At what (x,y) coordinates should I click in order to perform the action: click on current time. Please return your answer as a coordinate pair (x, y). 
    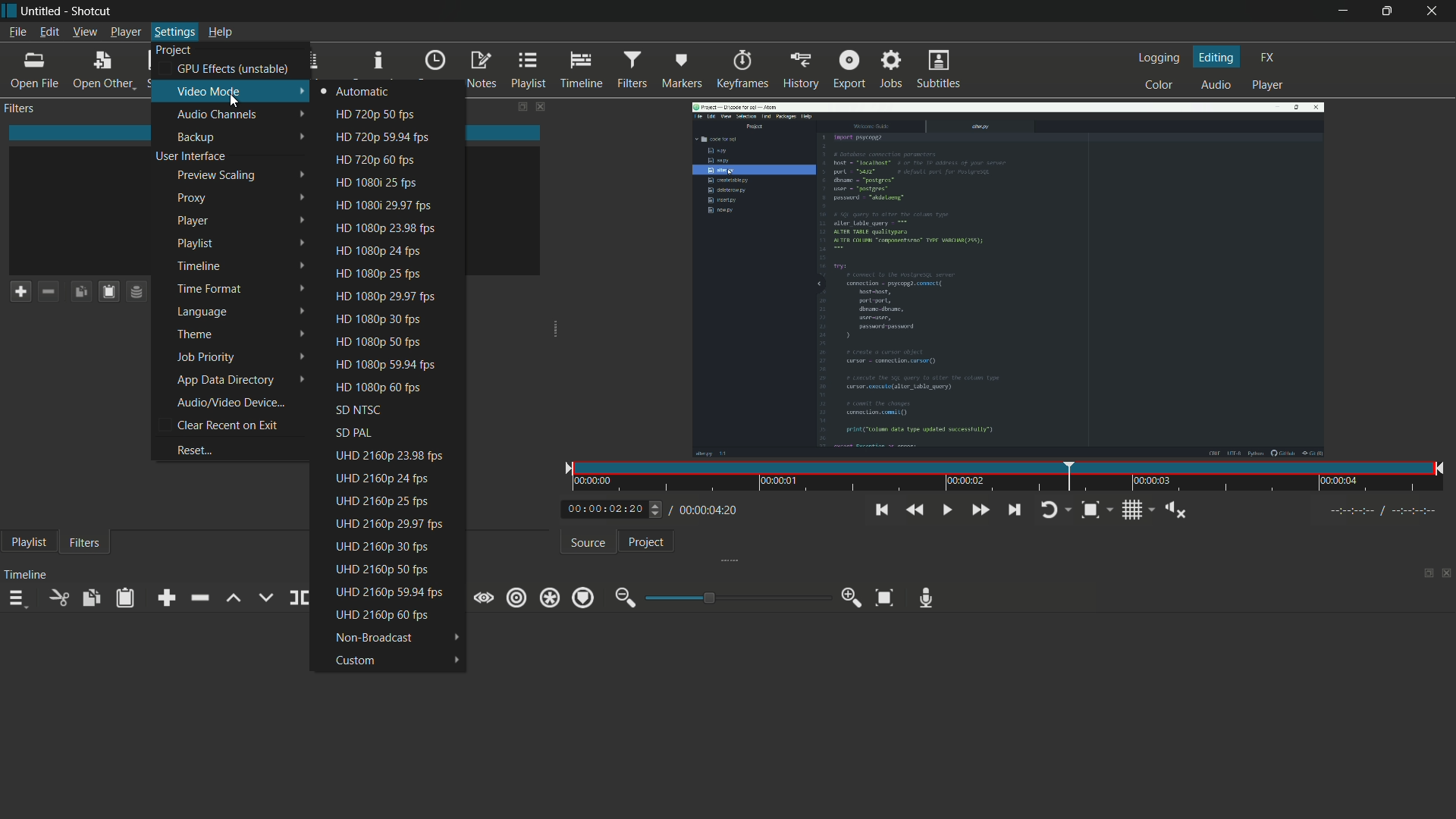
    Looking at the image, I should click on (603, 510).